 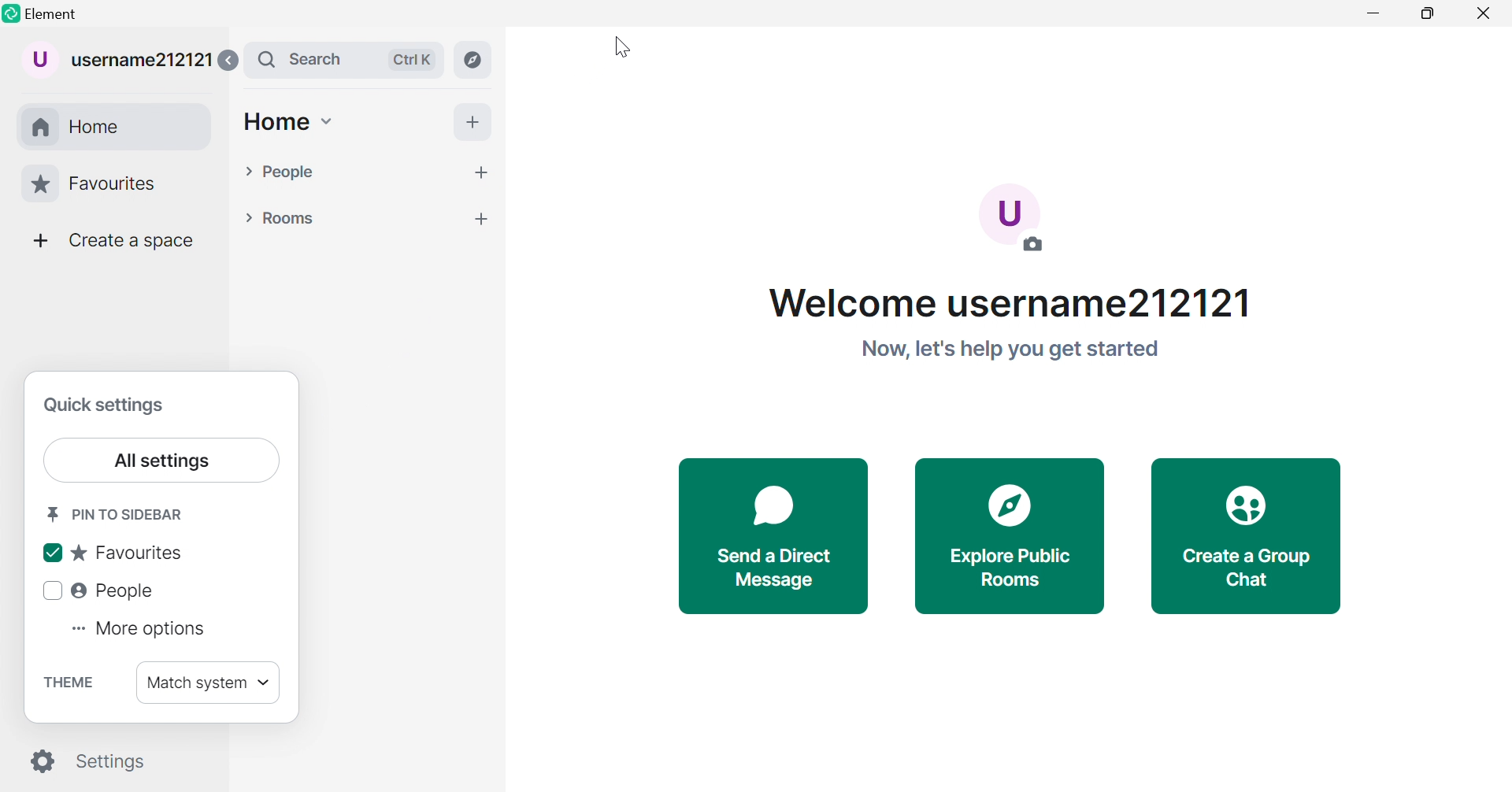 What do you see at coordinates (1011, 568) in the screenshot?
I see `Explore public rooms` at bounding box center [1011, 568].